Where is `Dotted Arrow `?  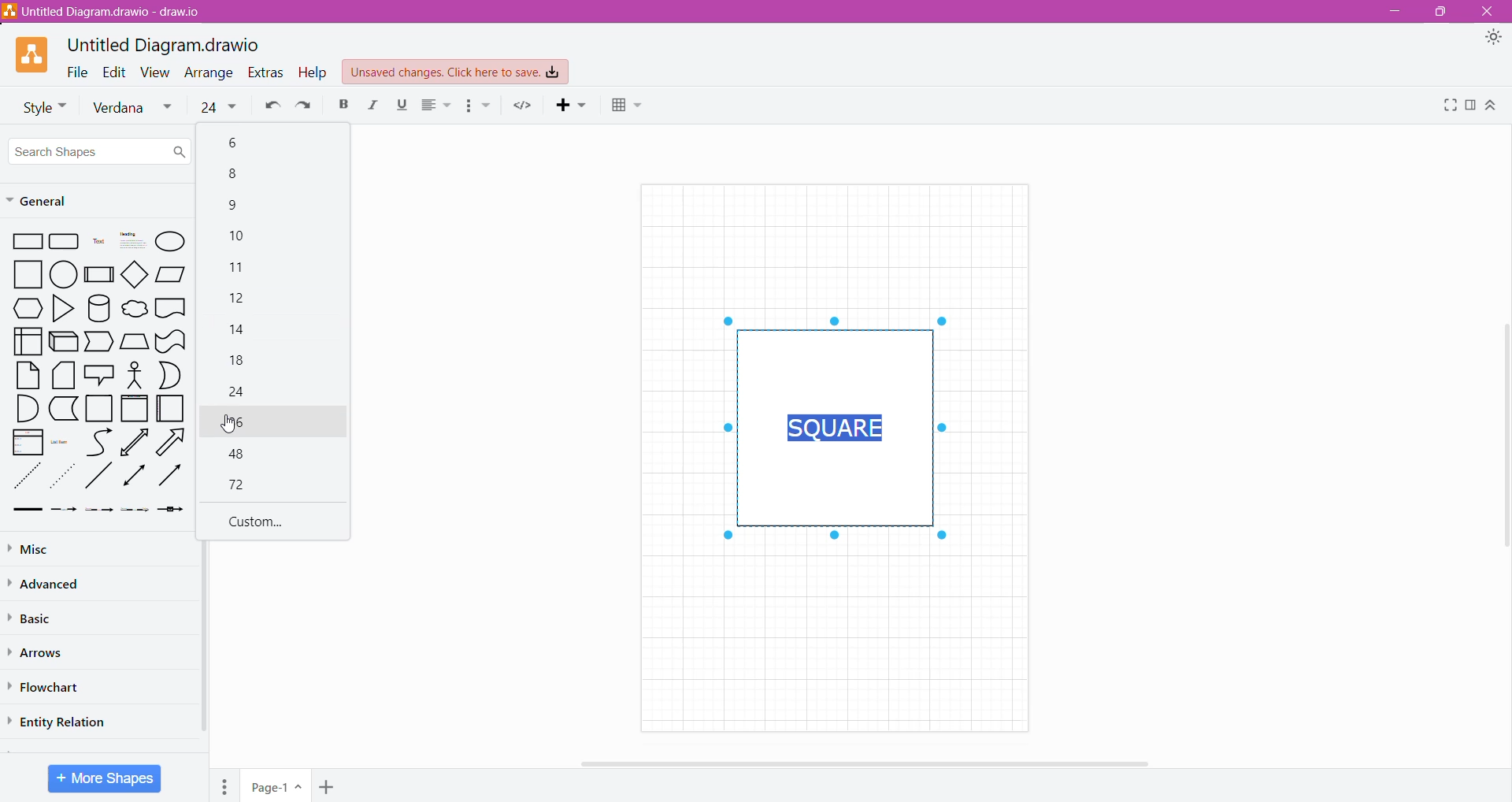 Dotted Arrow  is located at coordinates (64, 477).